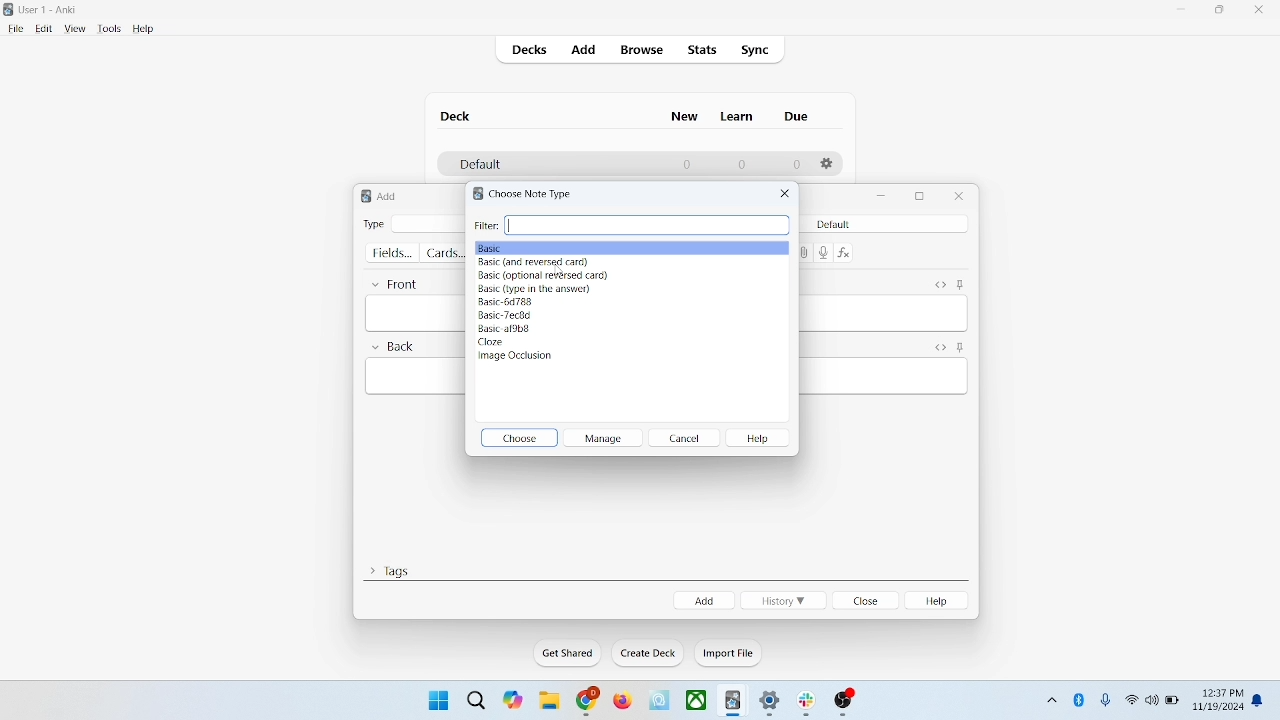 Image resolution: width=1280 pixels, height=720 pixels. I want to click on search, so click(477, 699).